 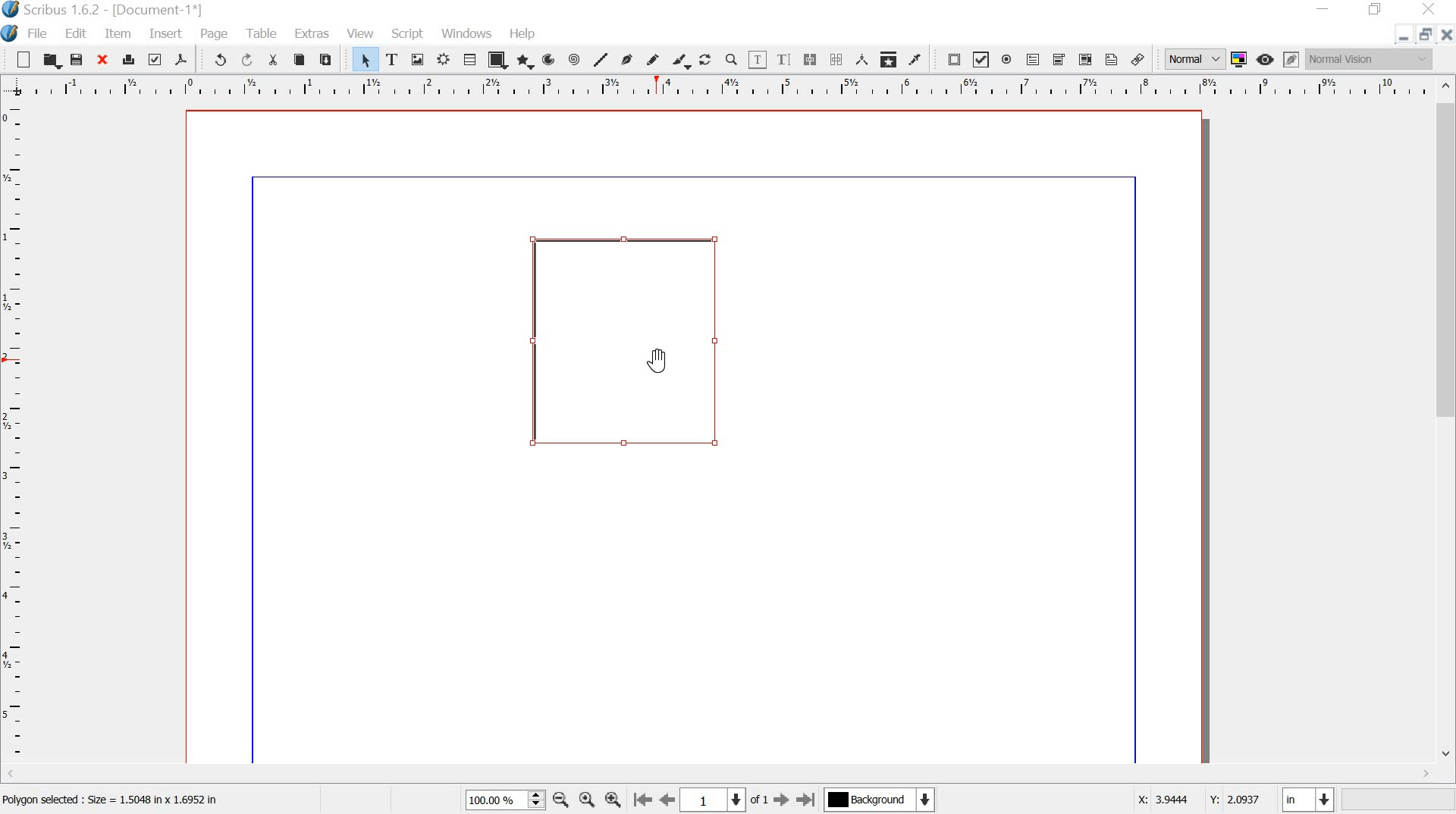 What do you see at coordinates (1266, 59) in the screenshot?
I see `preview mode` at bounding box center [1266, 59].